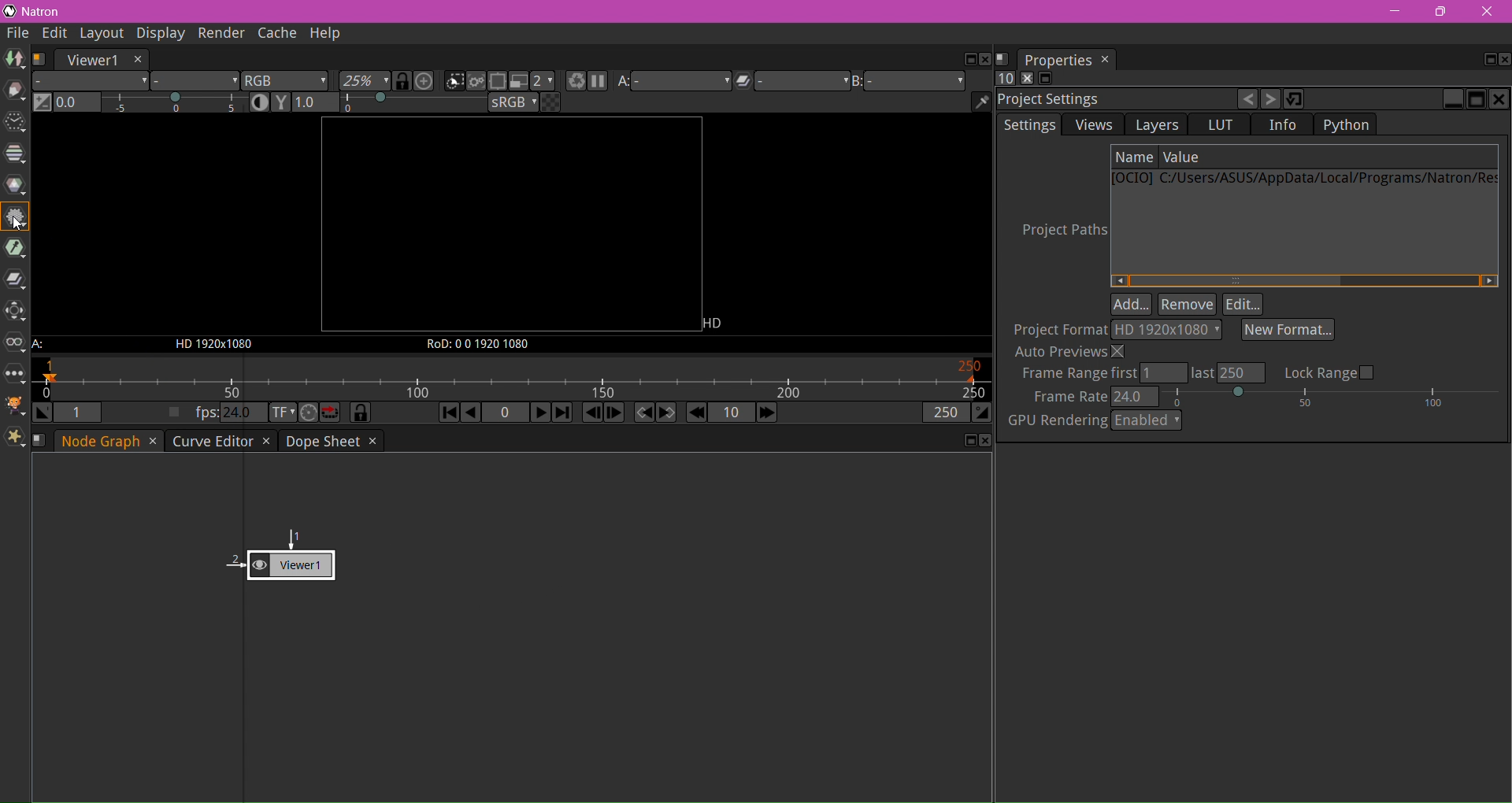 This screenshot has width=1512, height=803. What do you see at coordinates (16, 346) in the screenshot?
I see `View` at bounding box center [16, 346].